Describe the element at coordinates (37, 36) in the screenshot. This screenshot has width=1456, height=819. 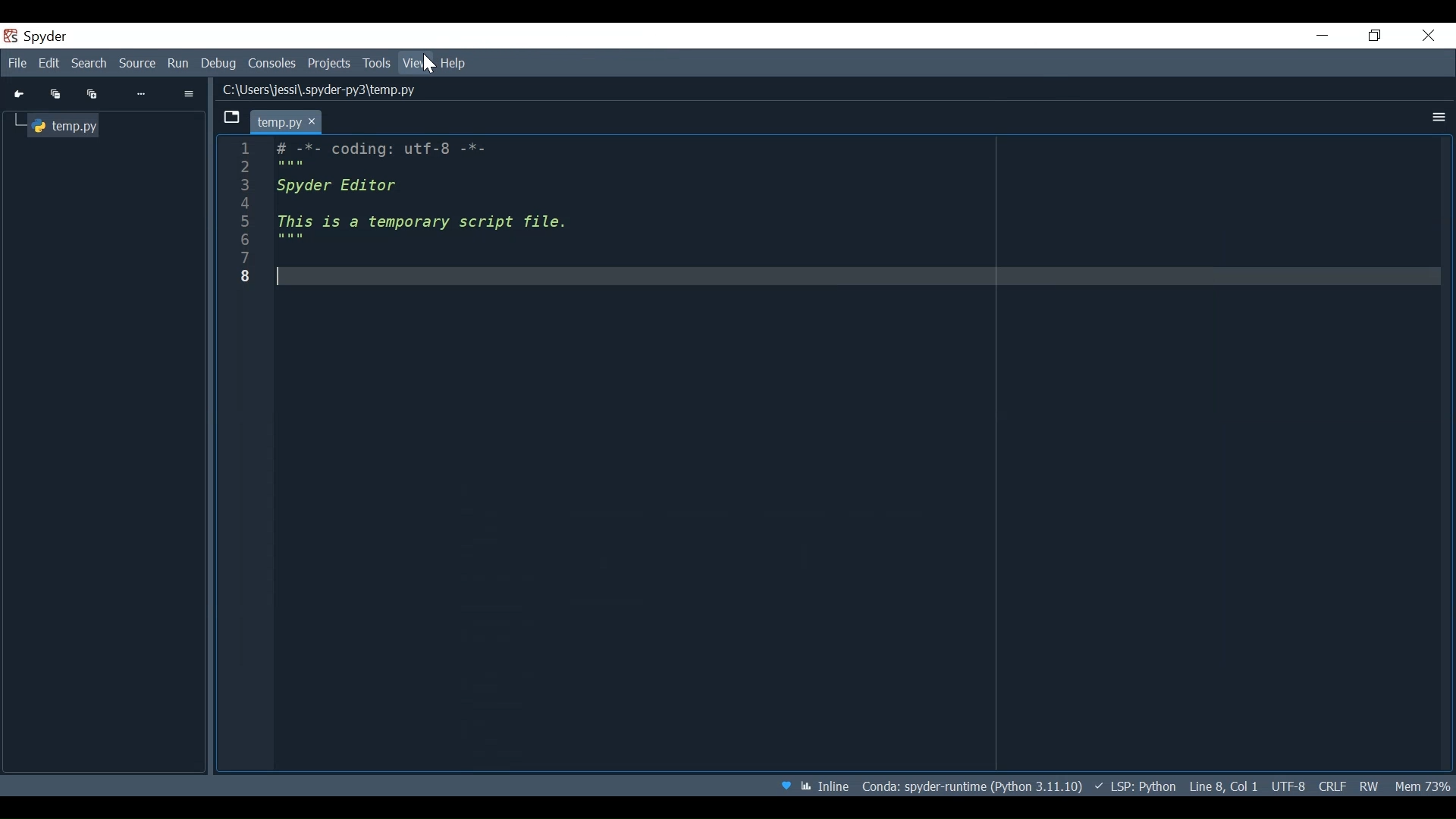
I see `Spyder Desktop icon` at that location.